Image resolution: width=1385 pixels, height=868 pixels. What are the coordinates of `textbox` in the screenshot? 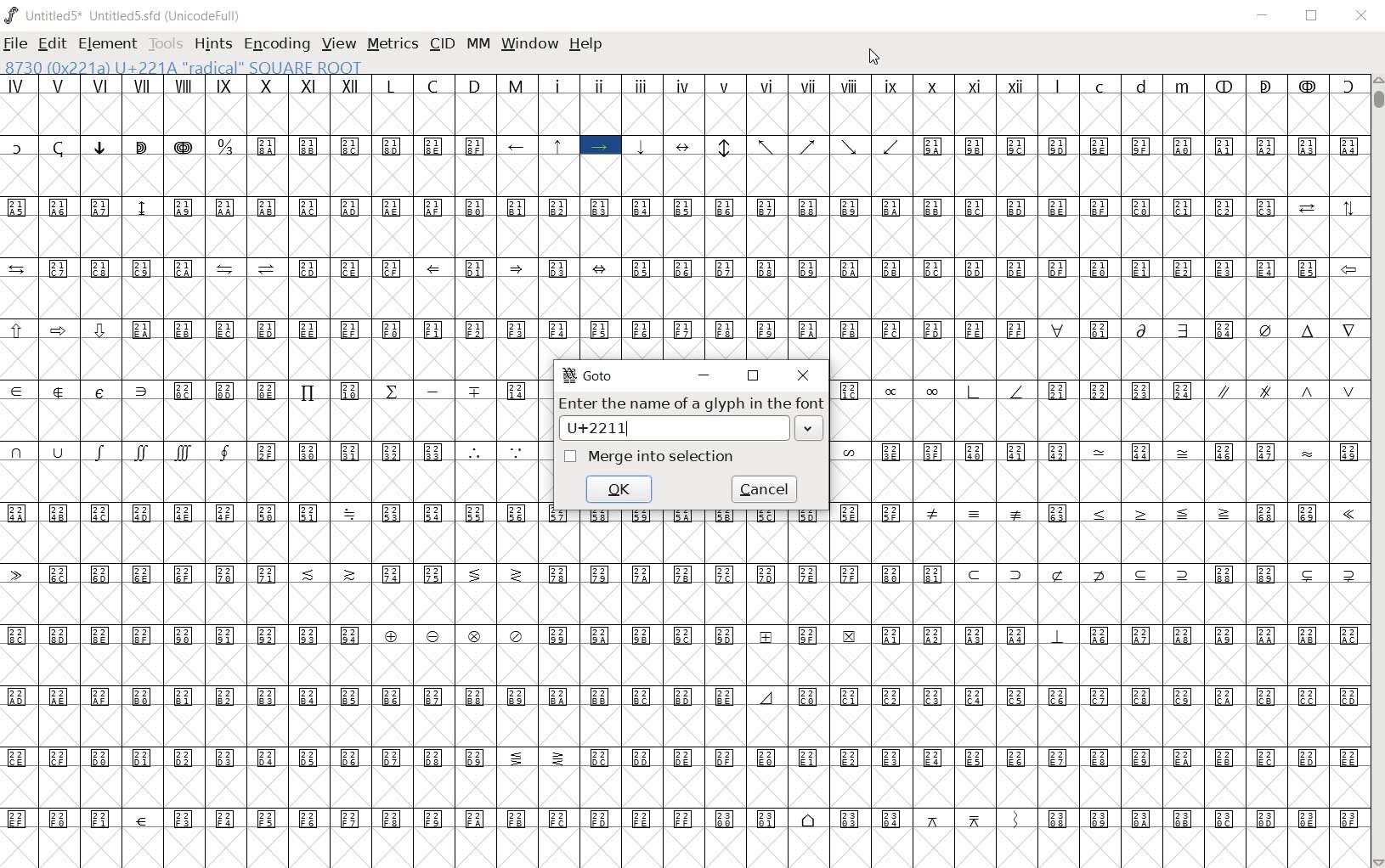 It's located at (692, 431).